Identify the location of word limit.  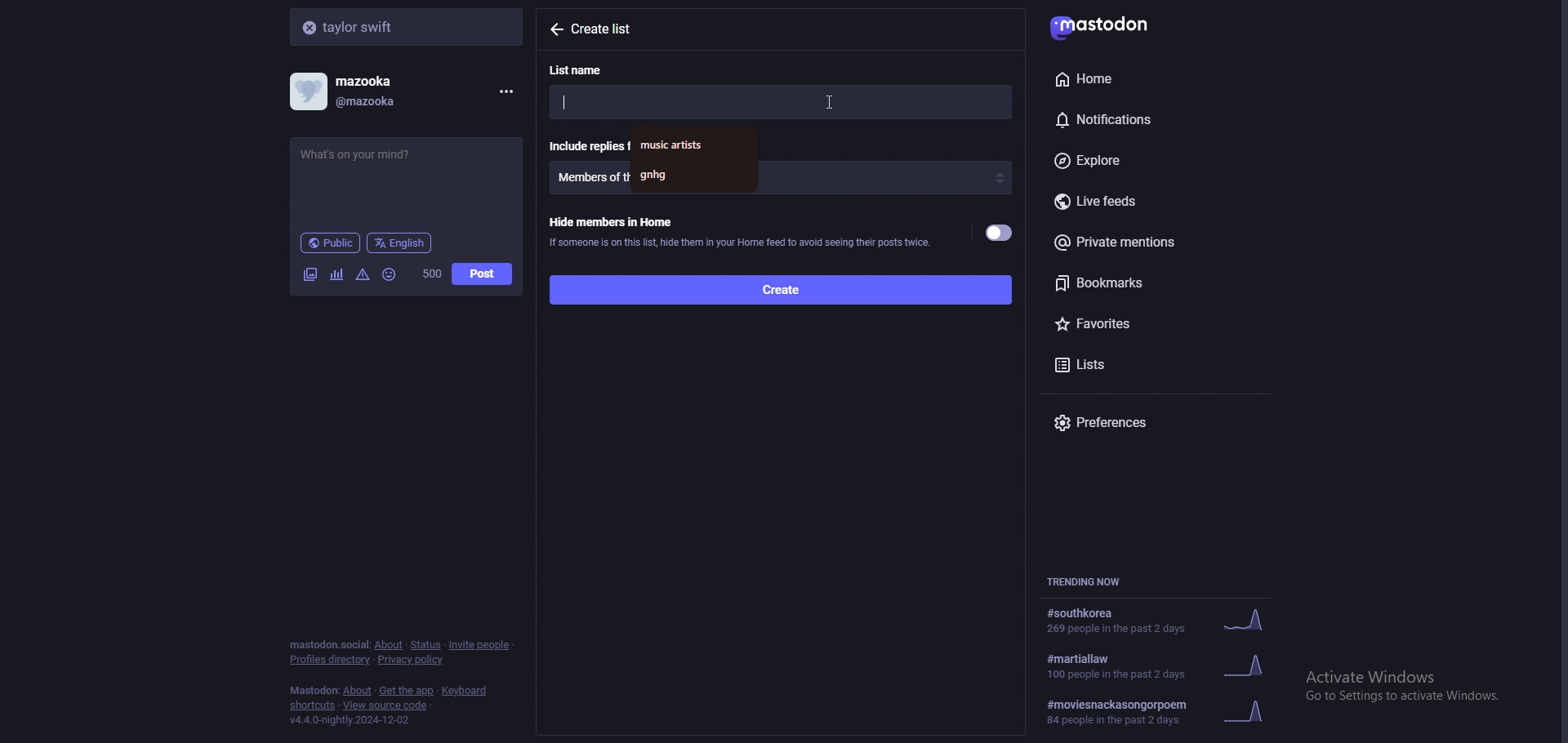
(430, 274).